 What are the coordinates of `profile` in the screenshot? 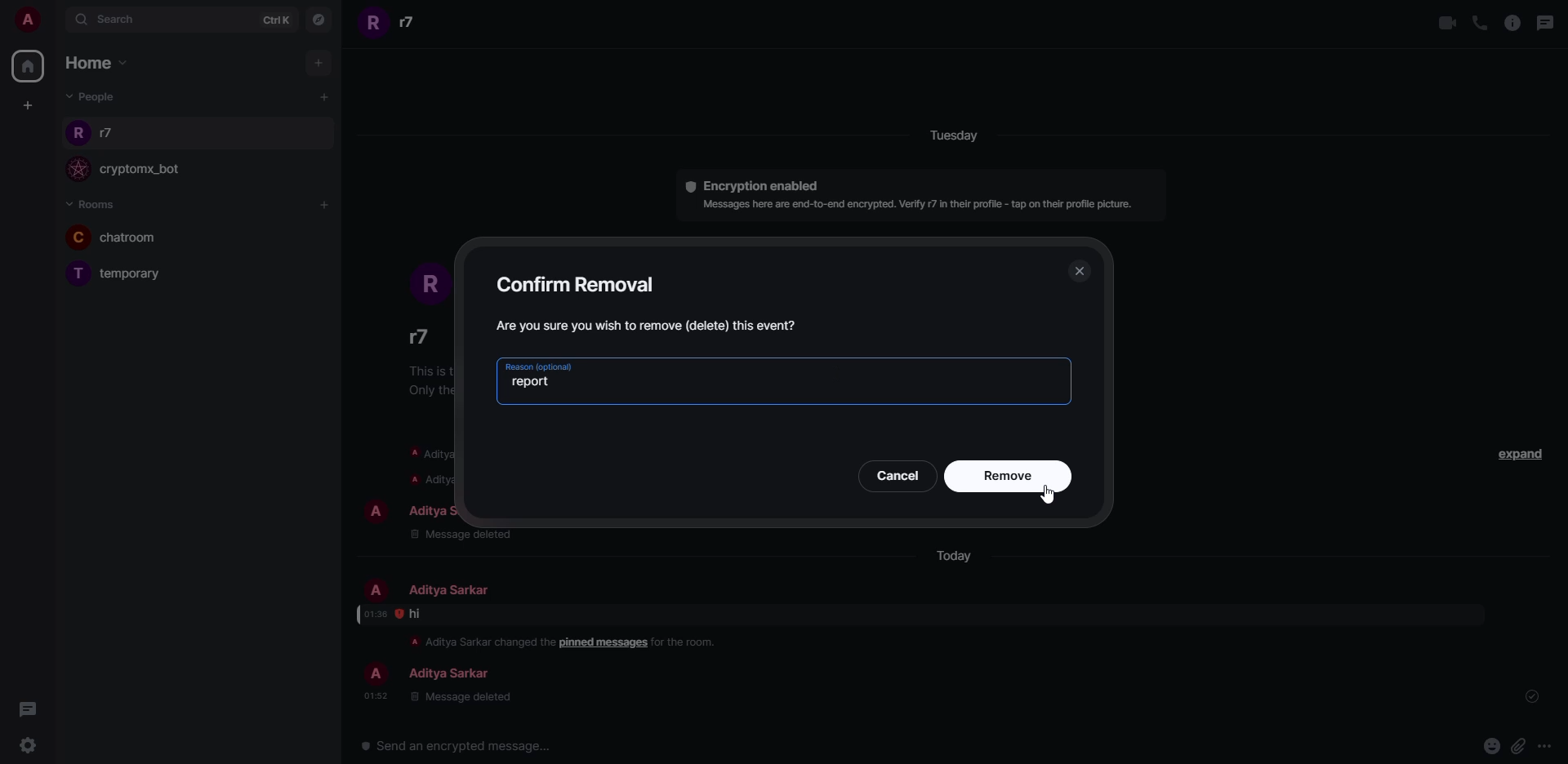 It's located at (374, 512).